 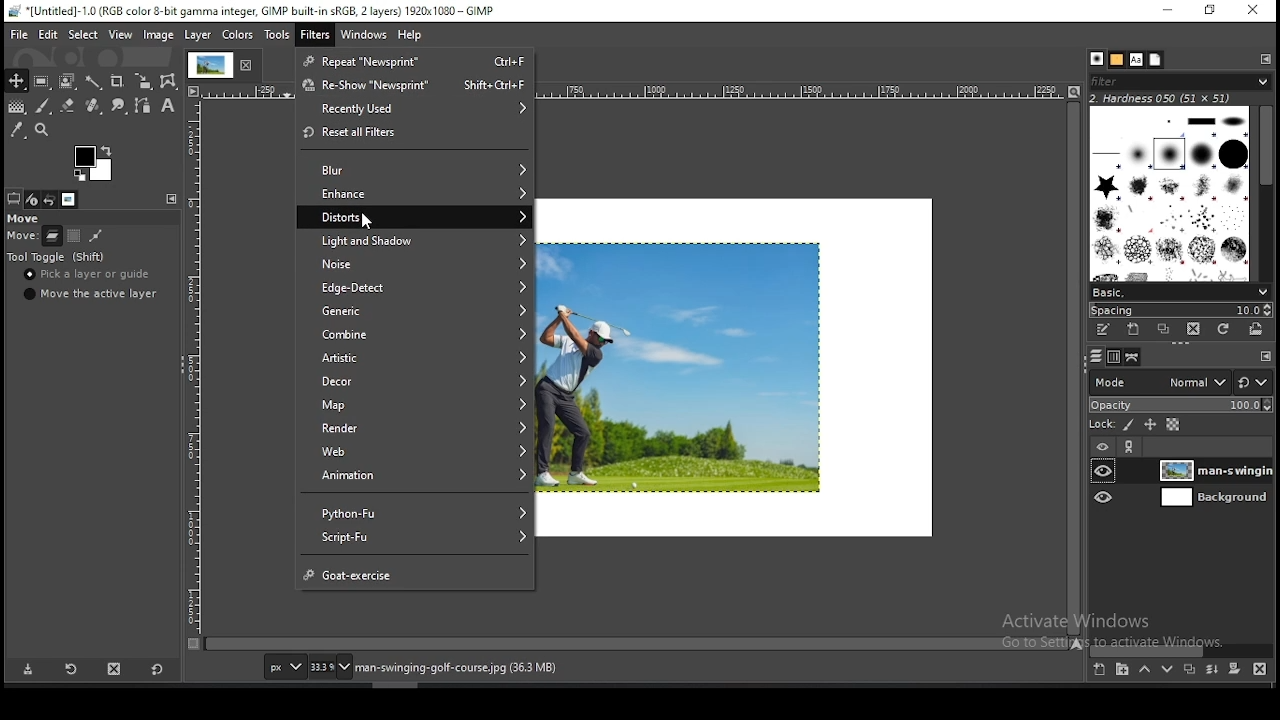 What do you see at coordinates (48, 36) in the screenshot?
I see `edit` at bounding box center [48, 36].